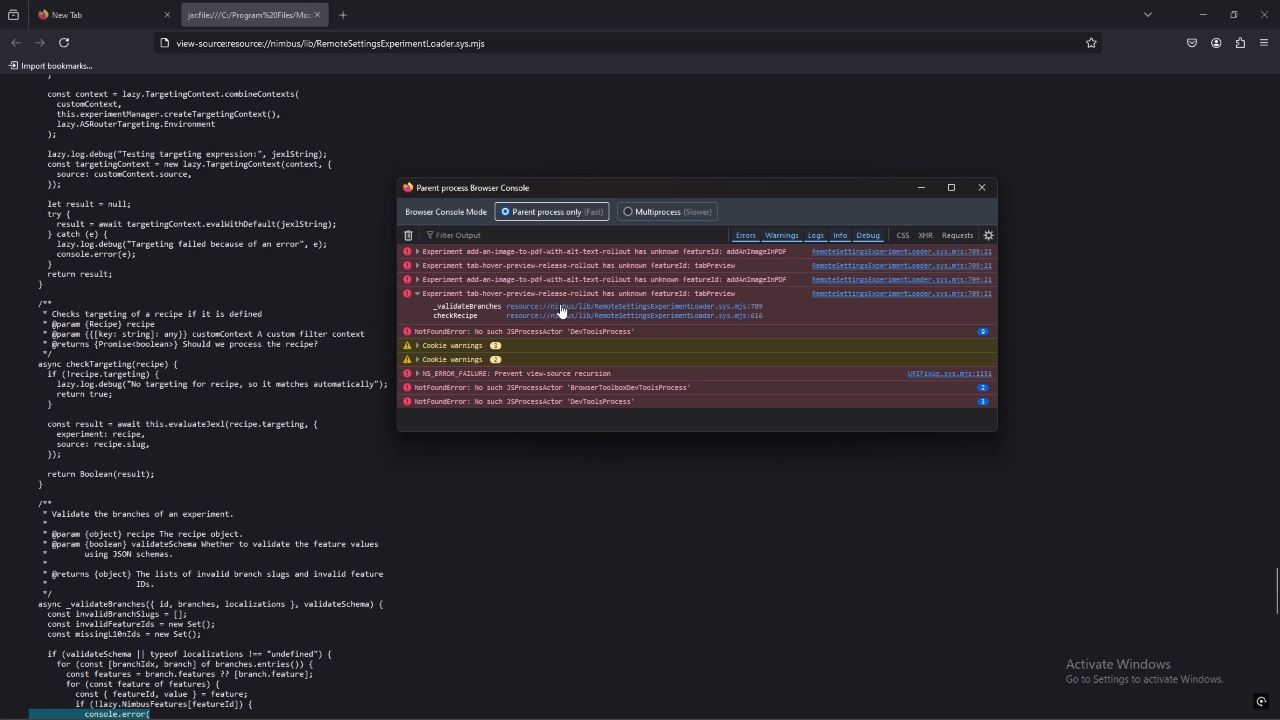  Describe the element at coordinates (39, 44) in the screenshot. I see `forward` at that location.